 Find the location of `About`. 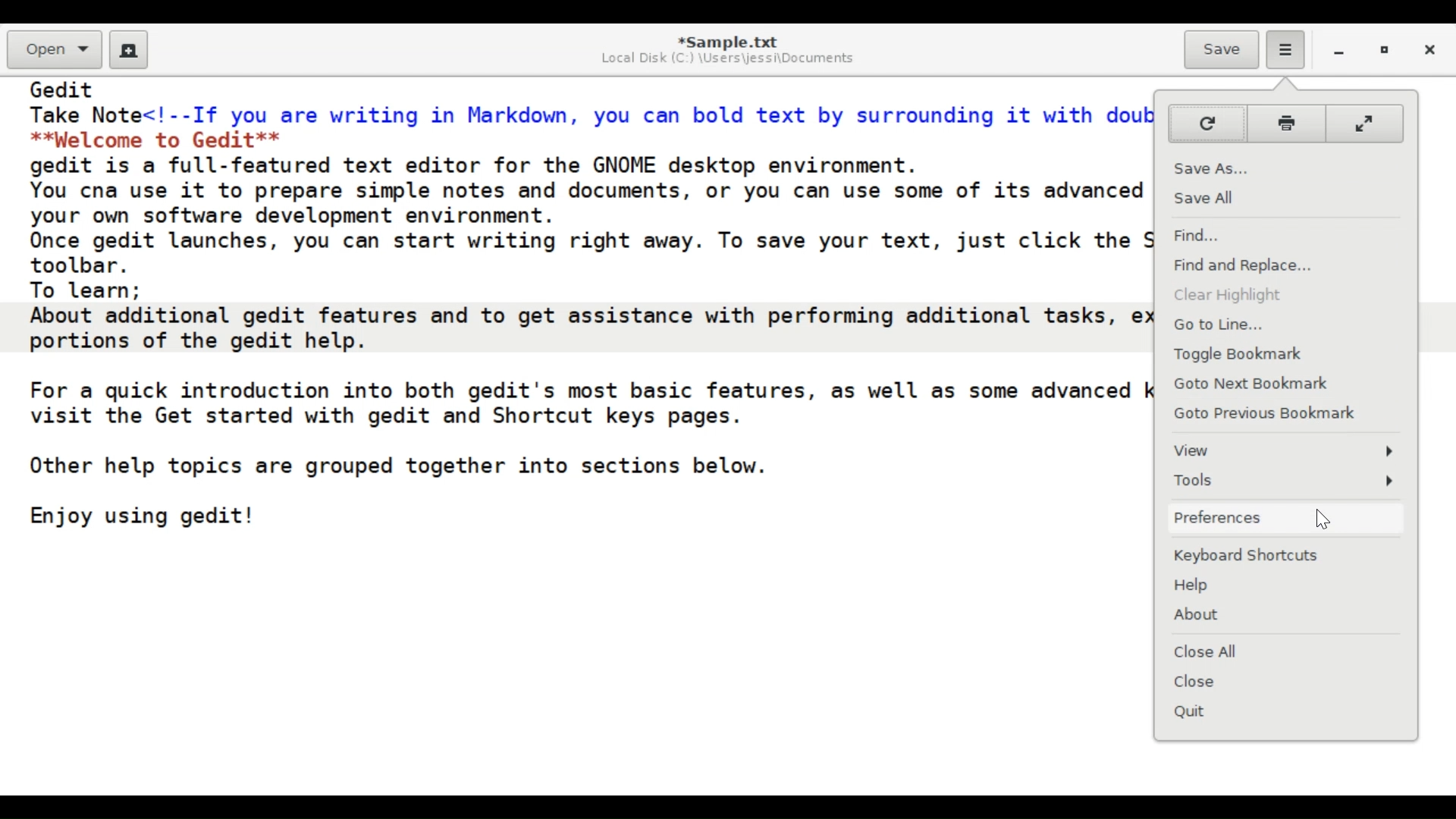

About is located at coordinates (1282, 611).